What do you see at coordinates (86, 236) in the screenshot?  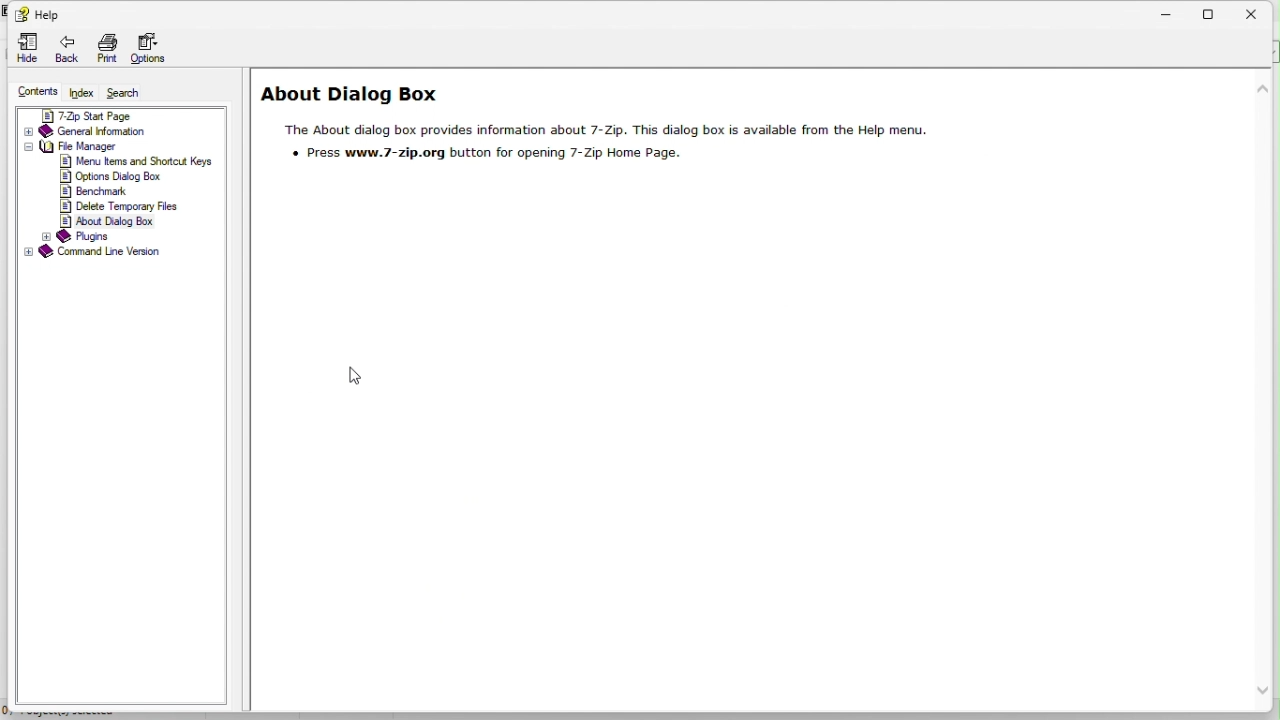 I see `plugins` at bounding box center [86, 236].